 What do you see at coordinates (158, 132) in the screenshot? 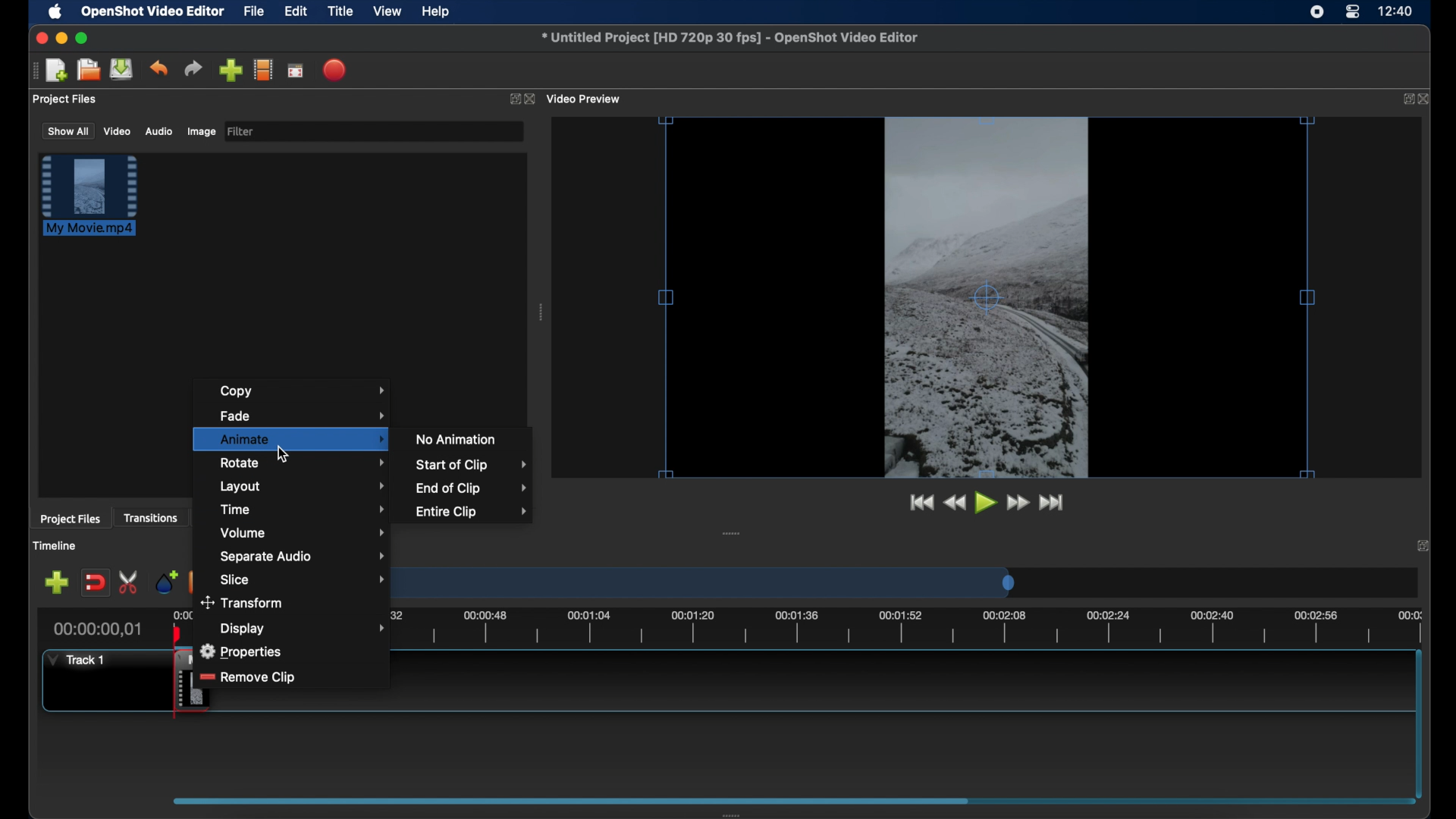
I see `audio` at bounding box center [158, 132].